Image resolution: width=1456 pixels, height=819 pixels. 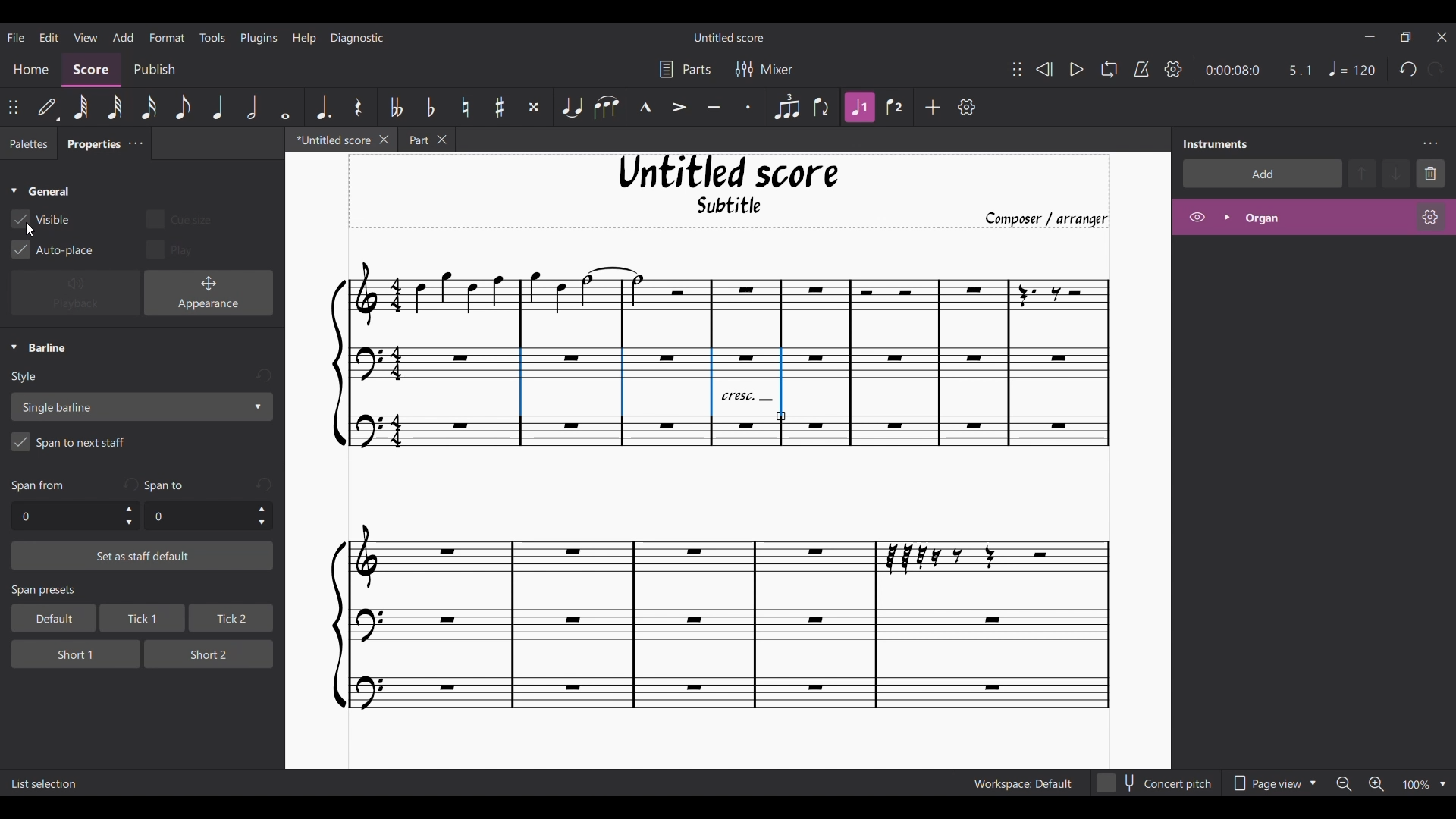 What do you see at coordinates (1022, 783) in the screenshot?
I see `Current workspace setting` at bounding box center [1022, 783].